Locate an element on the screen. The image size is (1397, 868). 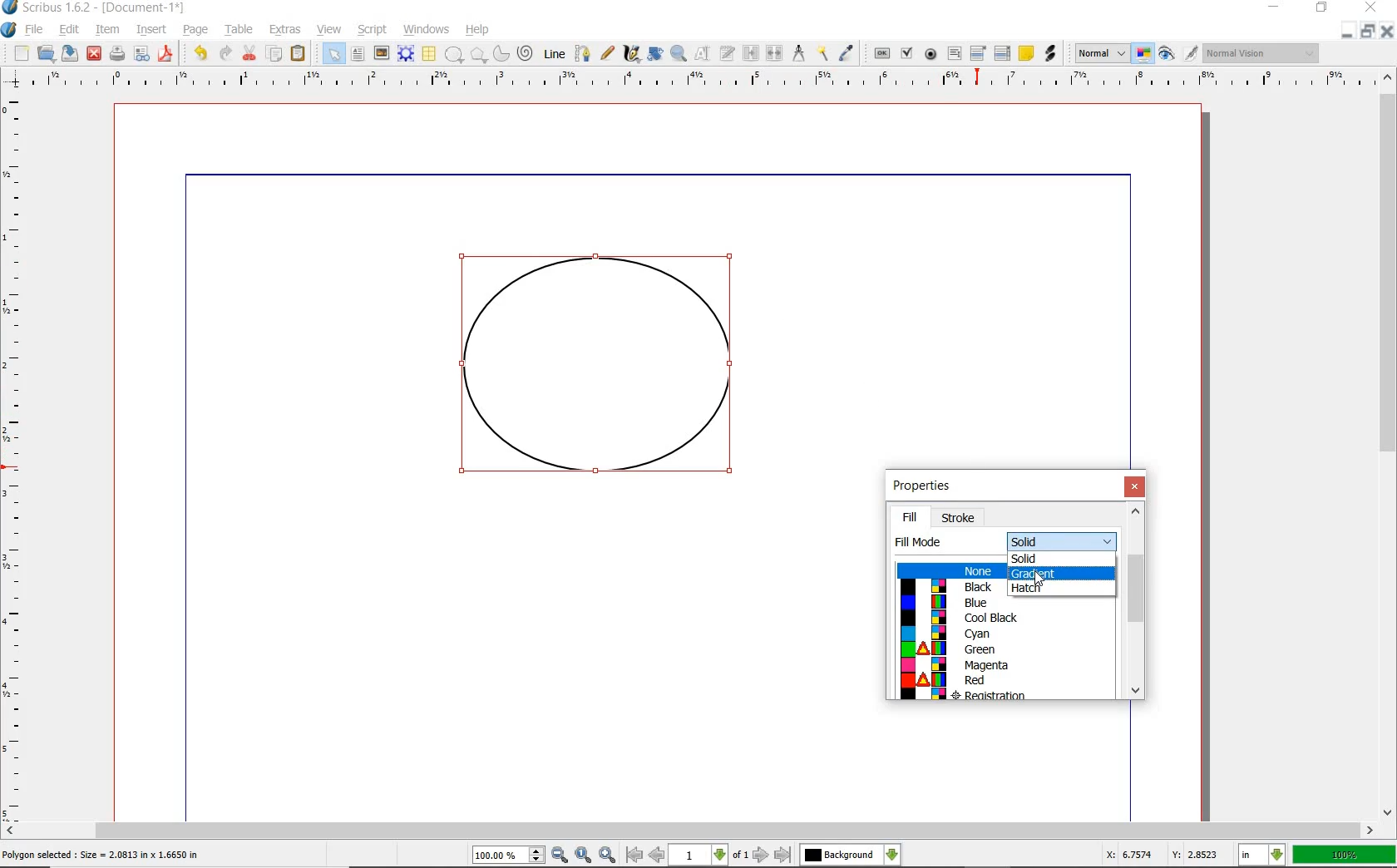
solid is located at coordinates (1060, 558).